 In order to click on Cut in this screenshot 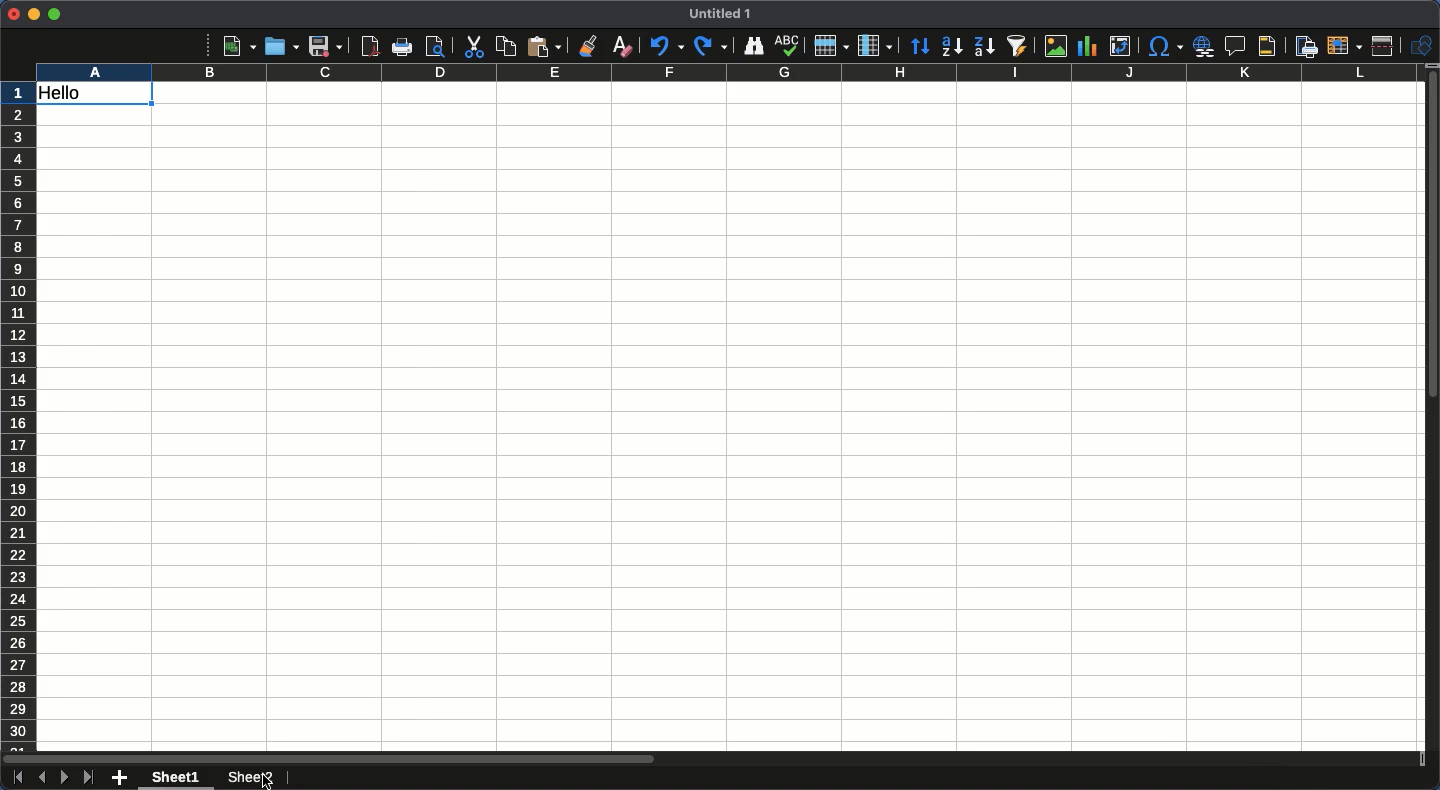, I will do `click(472, 47)`.